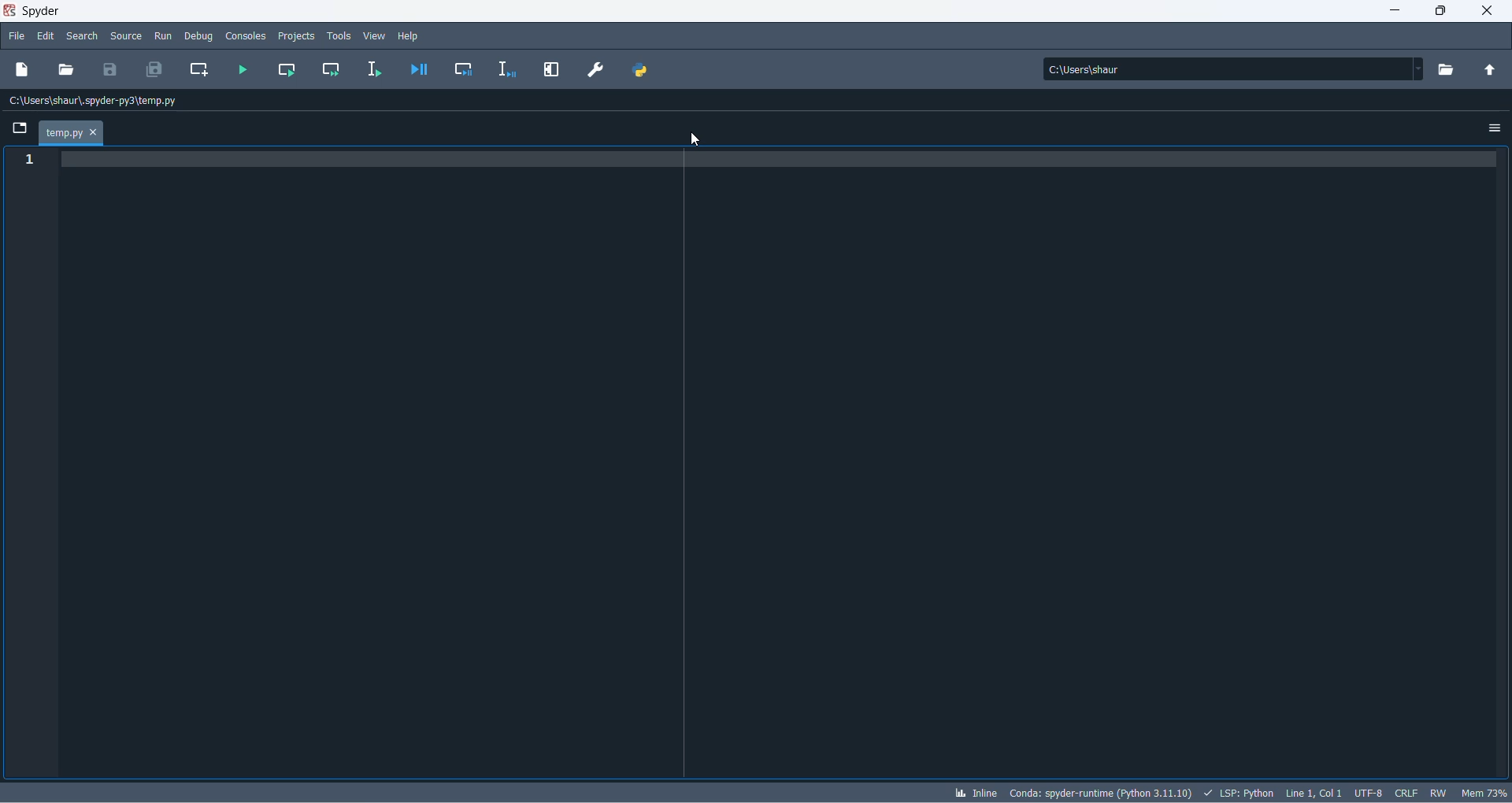 The image size is (1512, 803). I want to click on script, so click(1239, 792).